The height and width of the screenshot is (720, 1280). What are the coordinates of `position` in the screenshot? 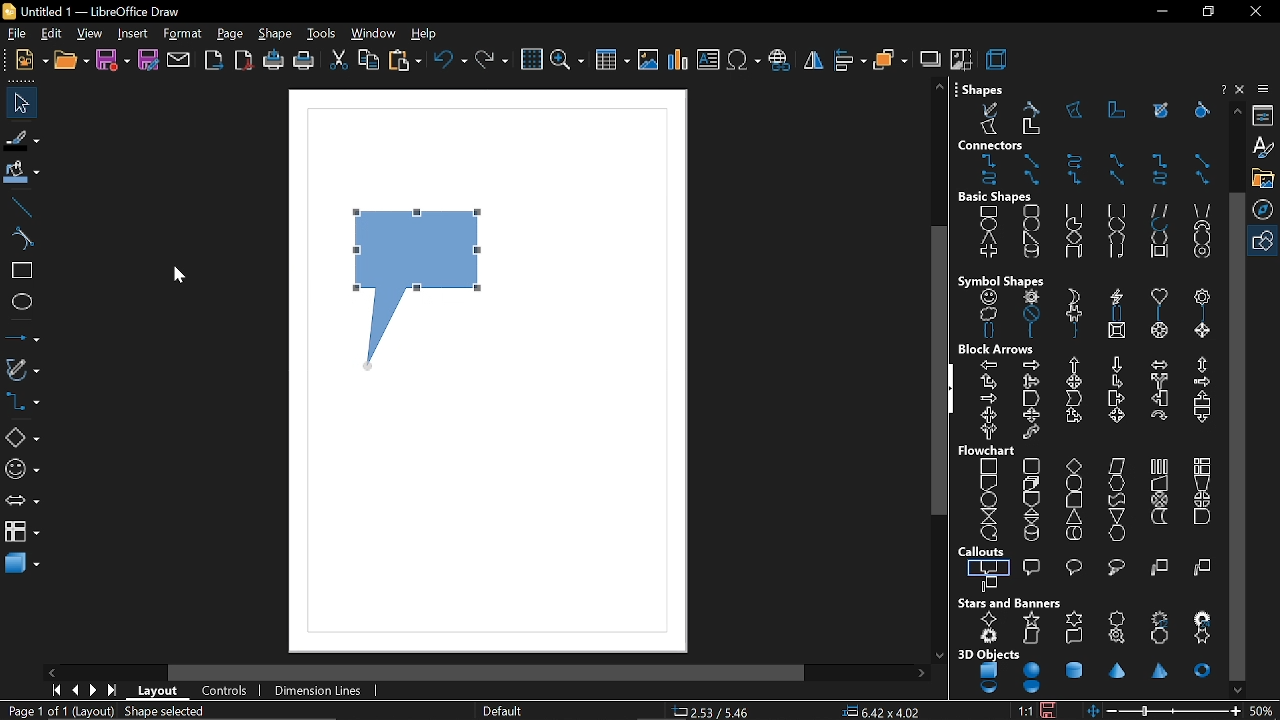 It's located at (881, 712).